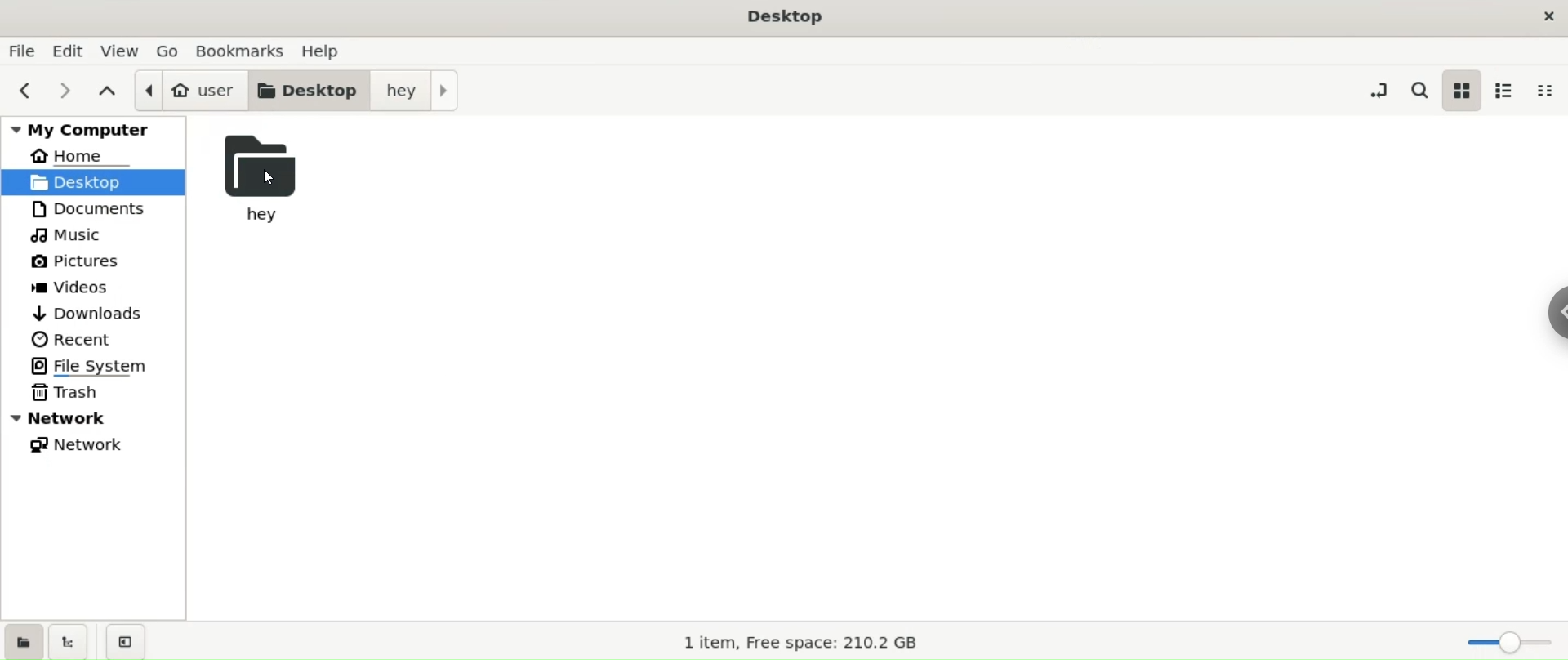  I want to click on desktop, so click(311, 90).